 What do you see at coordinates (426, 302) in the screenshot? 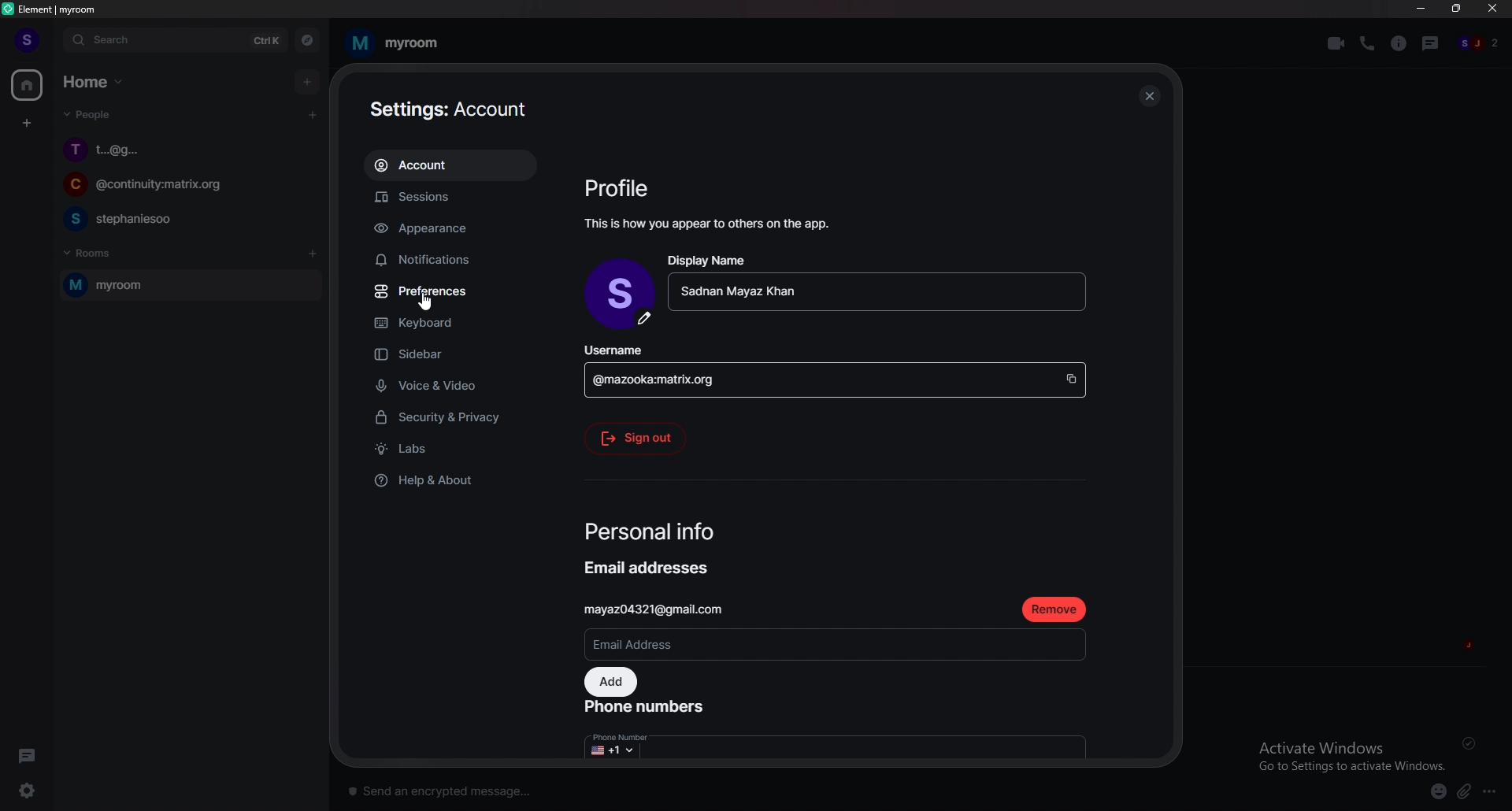
I see `` at bounding box center [426, 302].